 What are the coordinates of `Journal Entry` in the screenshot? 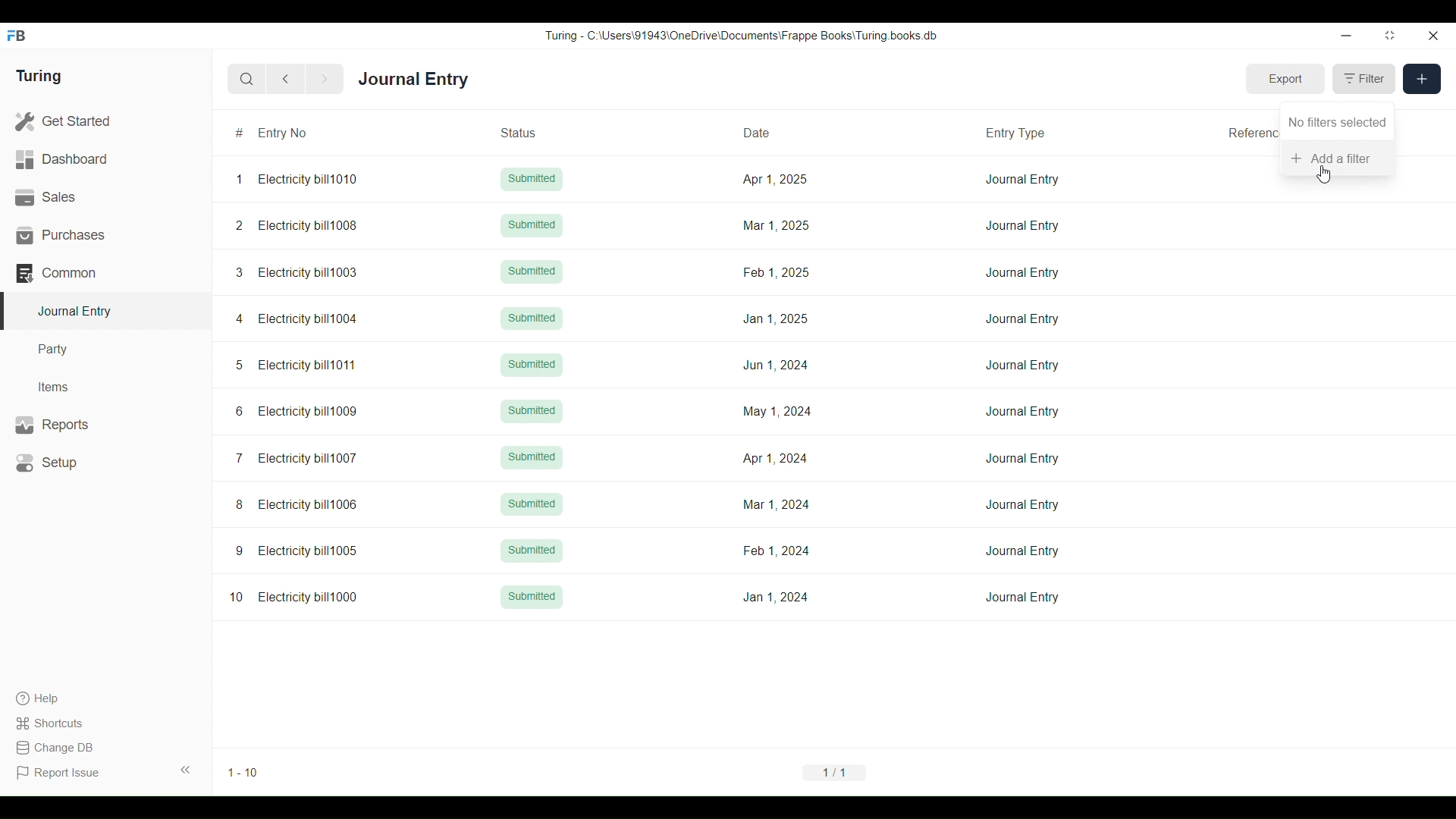 It's located at (1023, 412).